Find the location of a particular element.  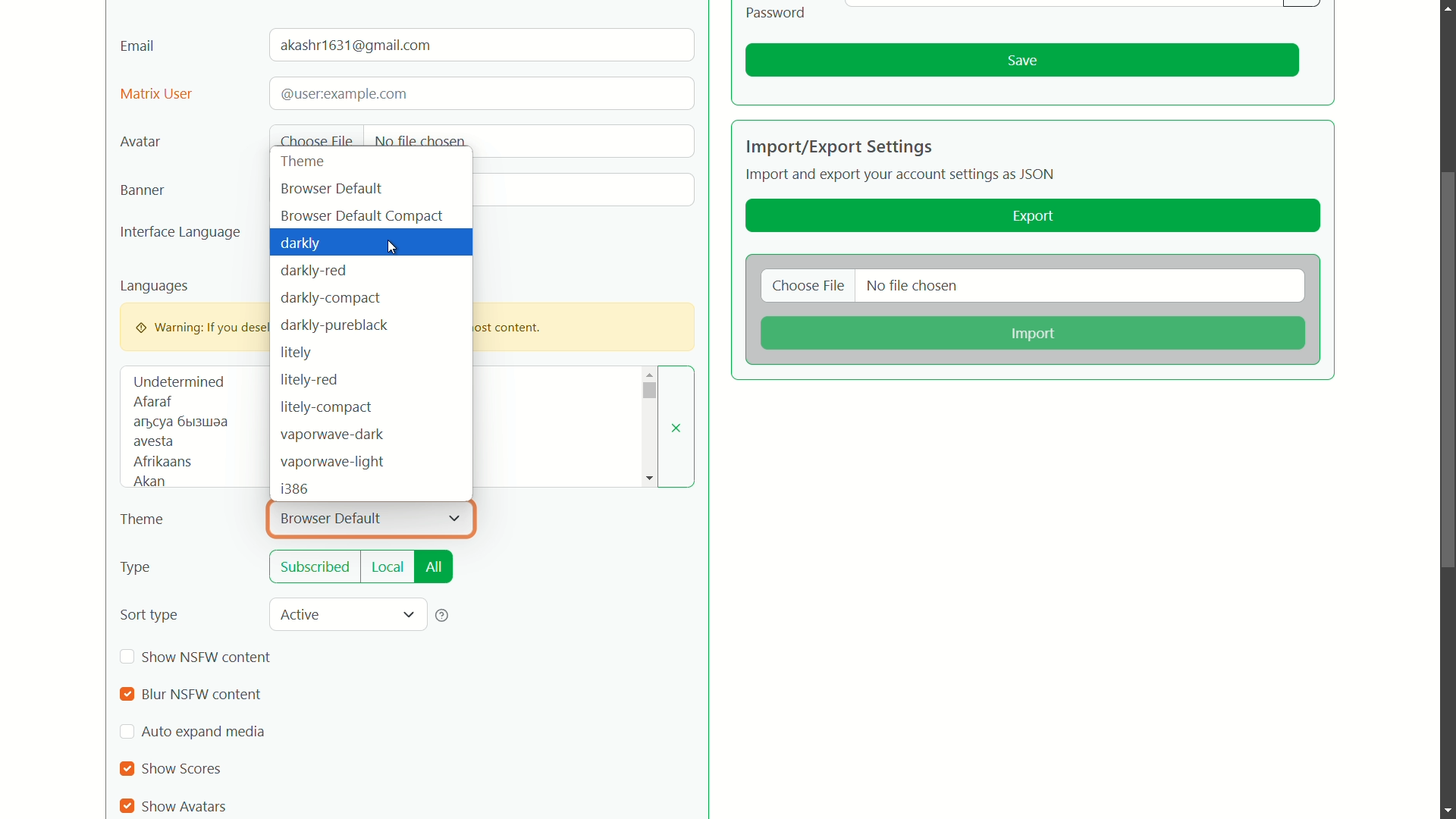

email is located at coordinates (138, 45).